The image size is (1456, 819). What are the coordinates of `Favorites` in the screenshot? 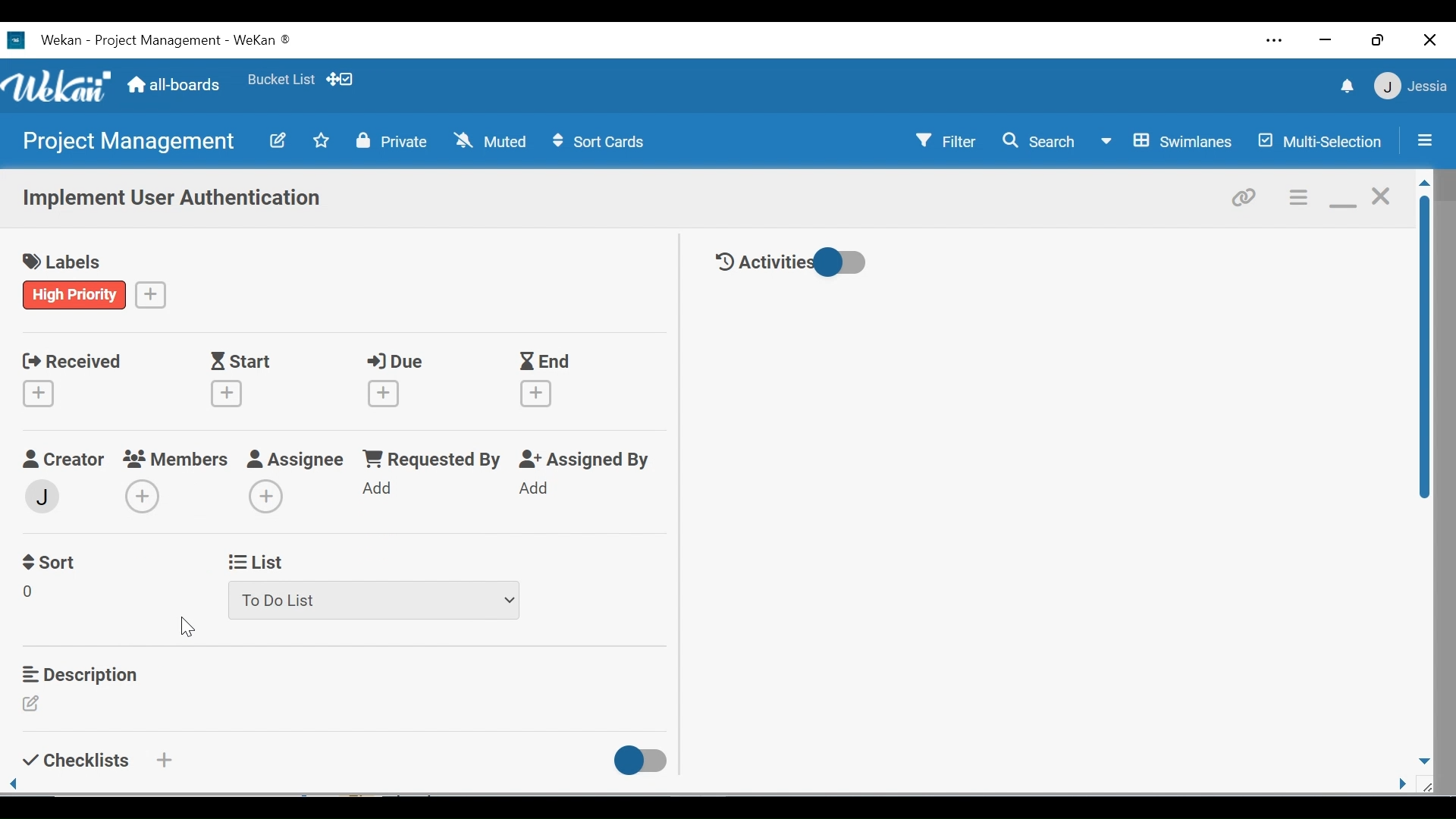 It's located at (280, 80).